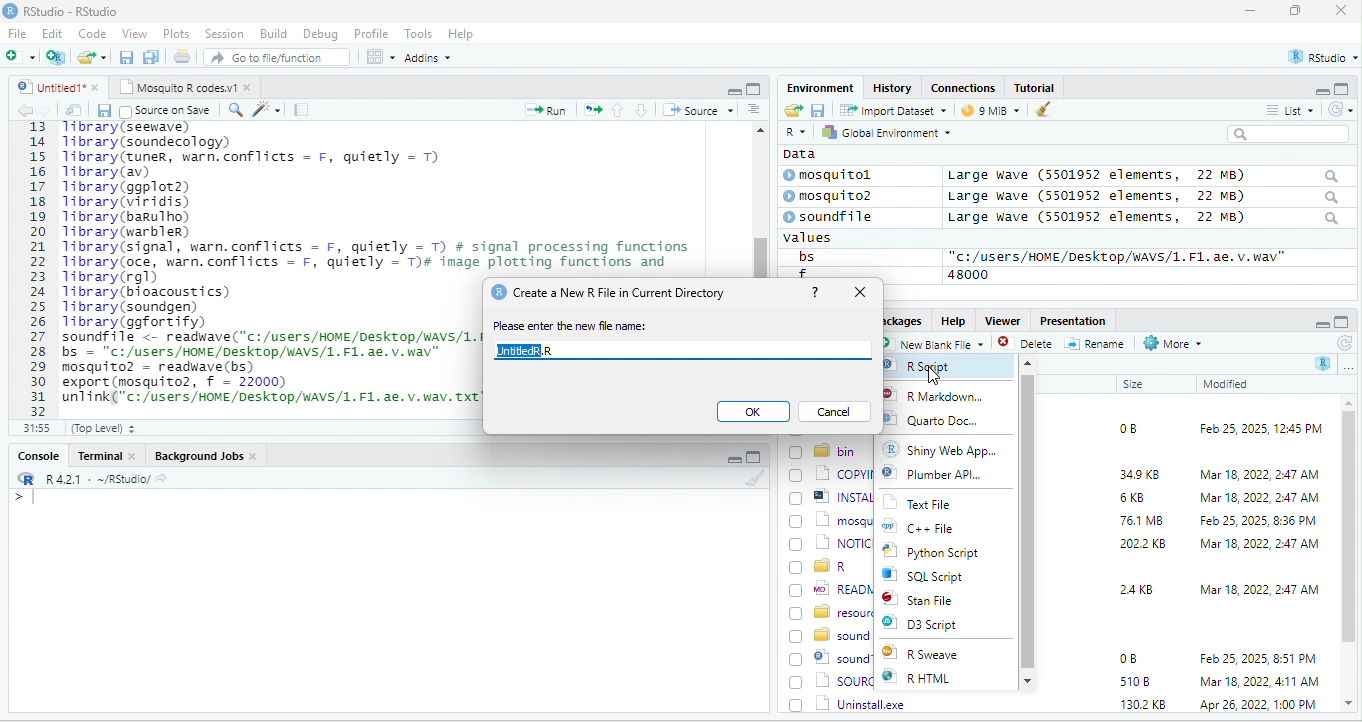  I want to click on © mosquito?, so click(834, 194).